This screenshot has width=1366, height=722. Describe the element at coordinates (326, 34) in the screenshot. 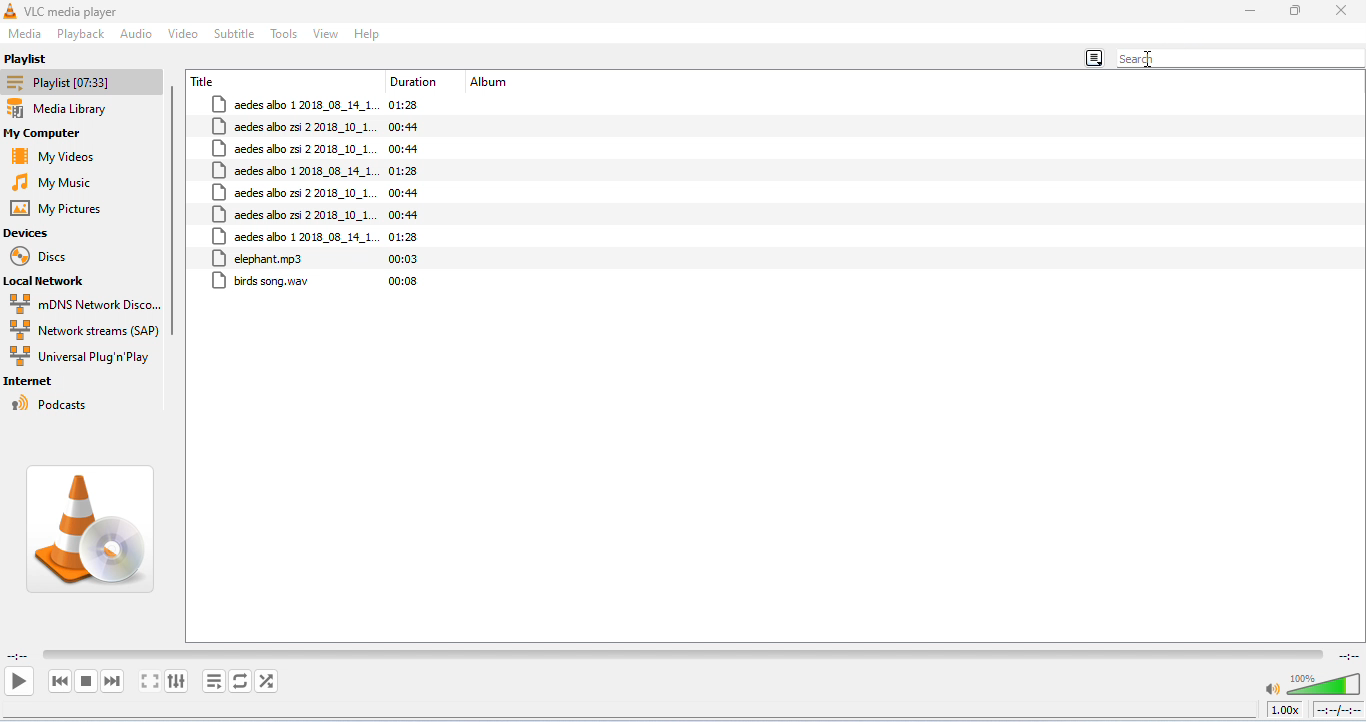

I see `view` at that location.